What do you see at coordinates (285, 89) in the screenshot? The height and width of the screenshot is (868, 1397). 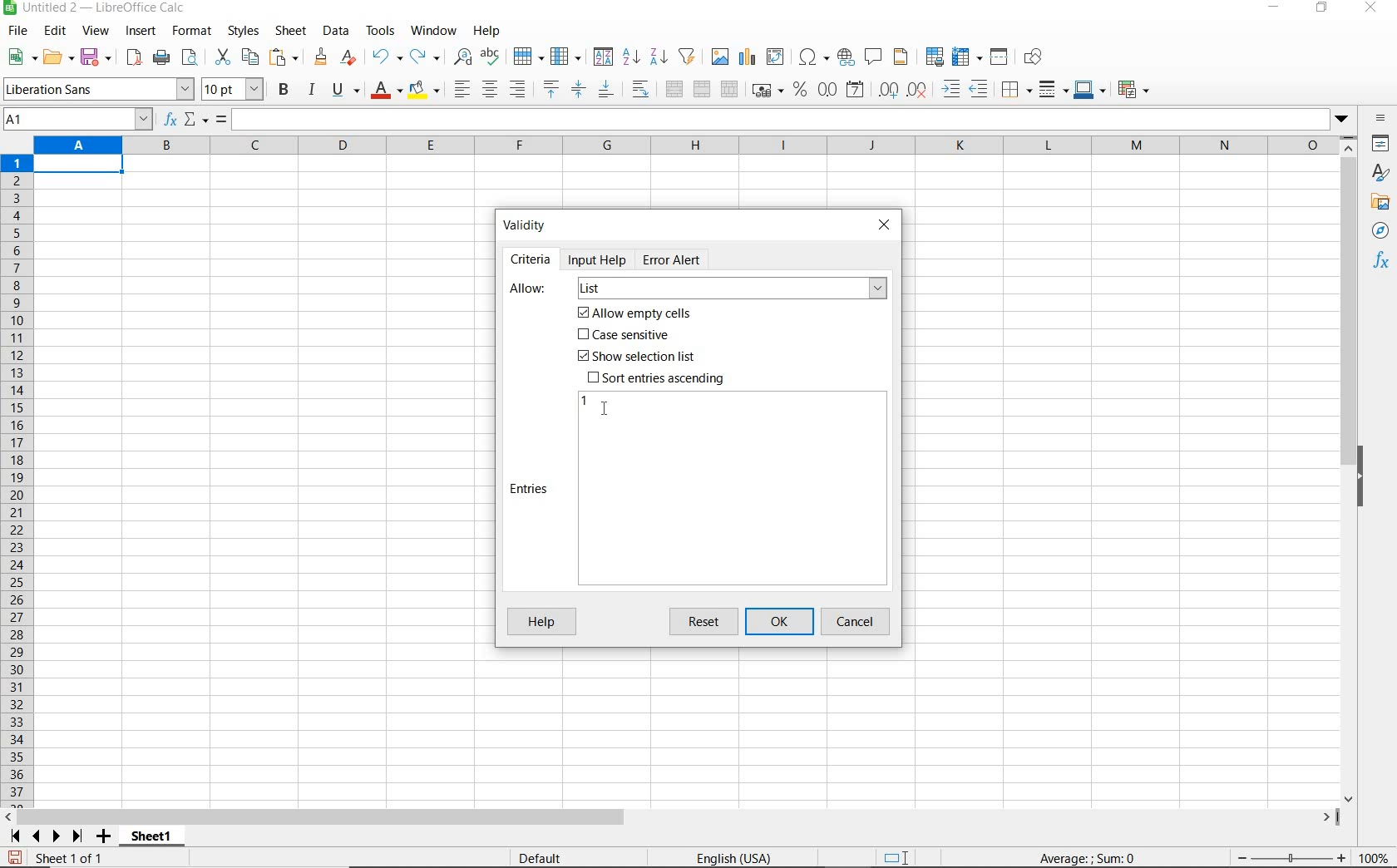 I see `bold` at bounding box center [285, 89].